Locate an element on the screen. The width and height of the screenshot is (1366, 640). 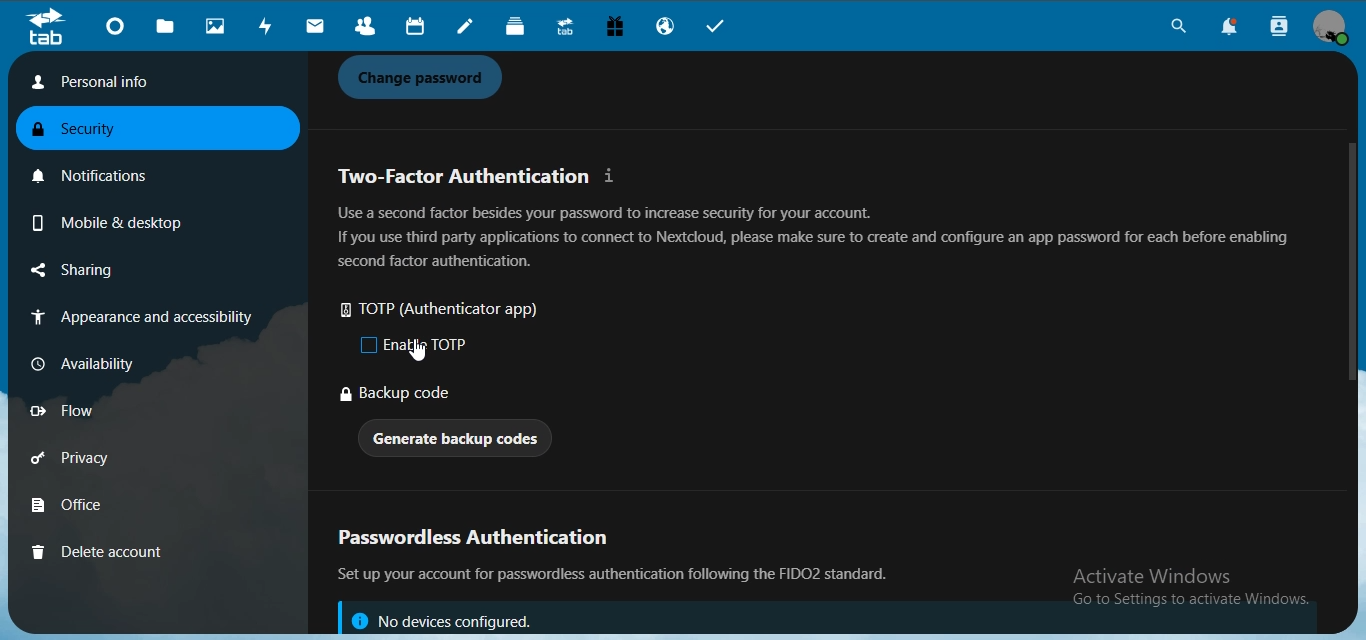
no devices configured is located at coordinates (440, 619).